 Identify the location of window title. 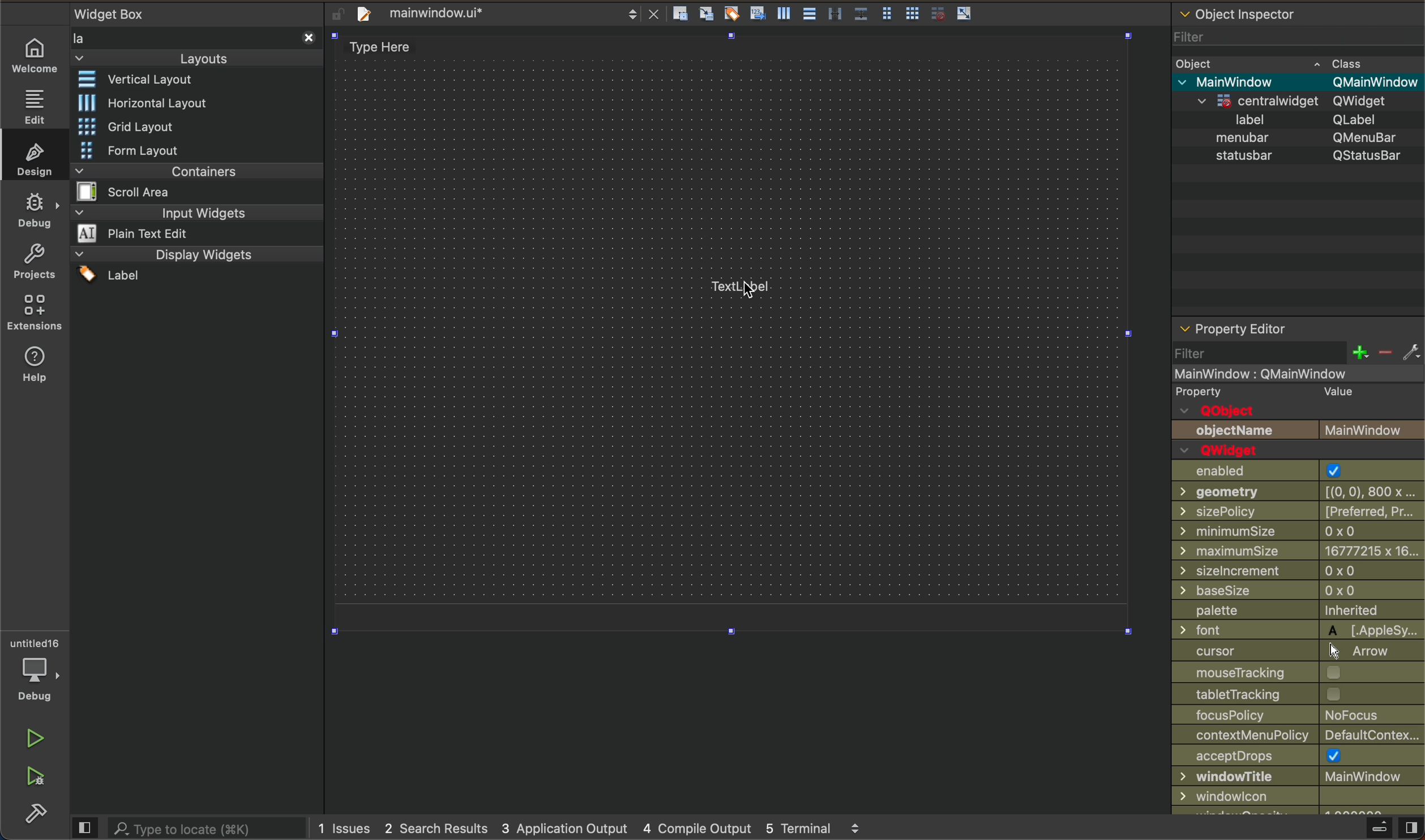
(1286, 778).